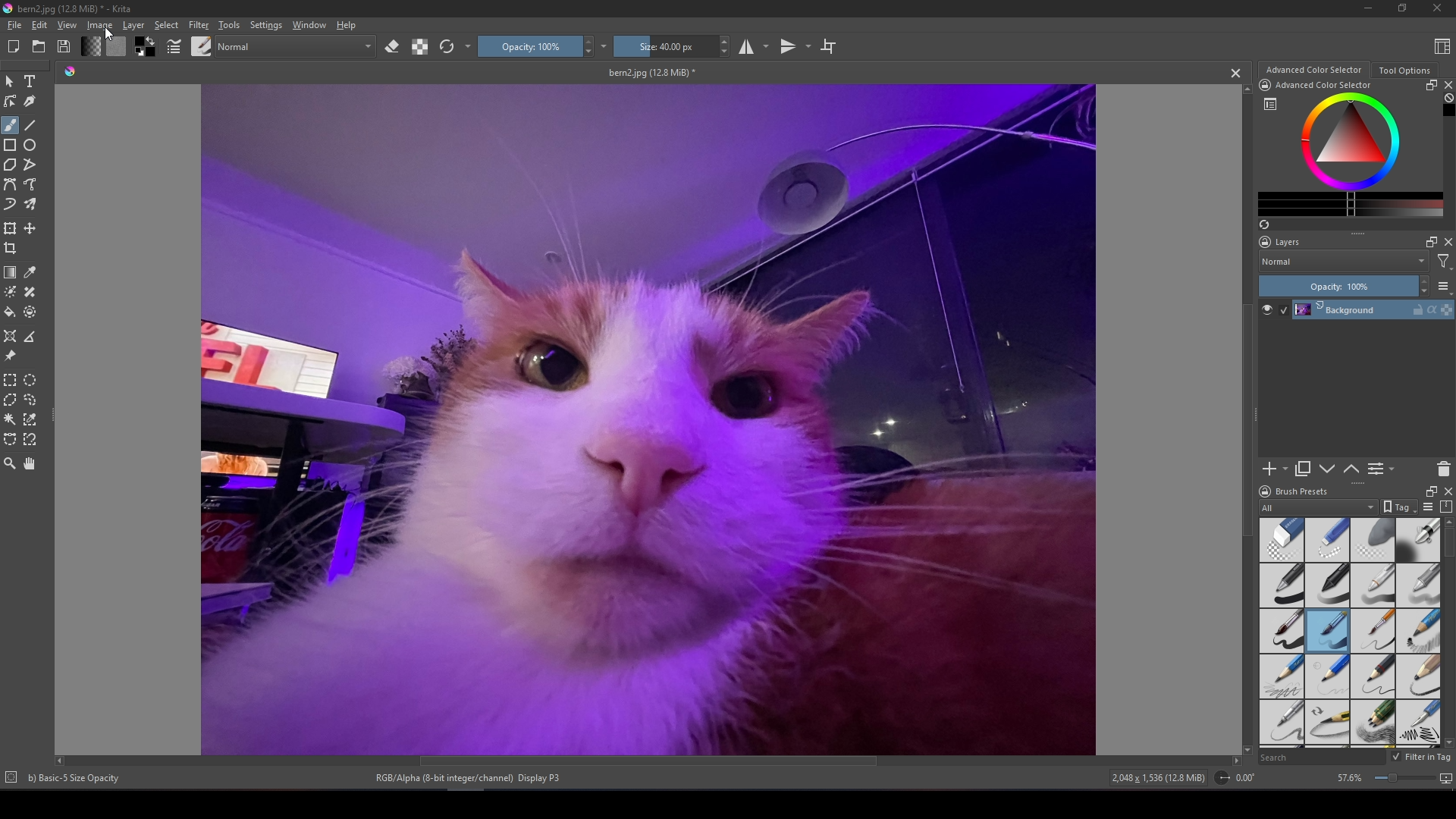 Image resolution: width=1456 pixels, height=819 pixels. What do you see at coordinates (1449, 633) in the screenshot?
I see `Brush preset scroll` at bounding box center [1449, 633].